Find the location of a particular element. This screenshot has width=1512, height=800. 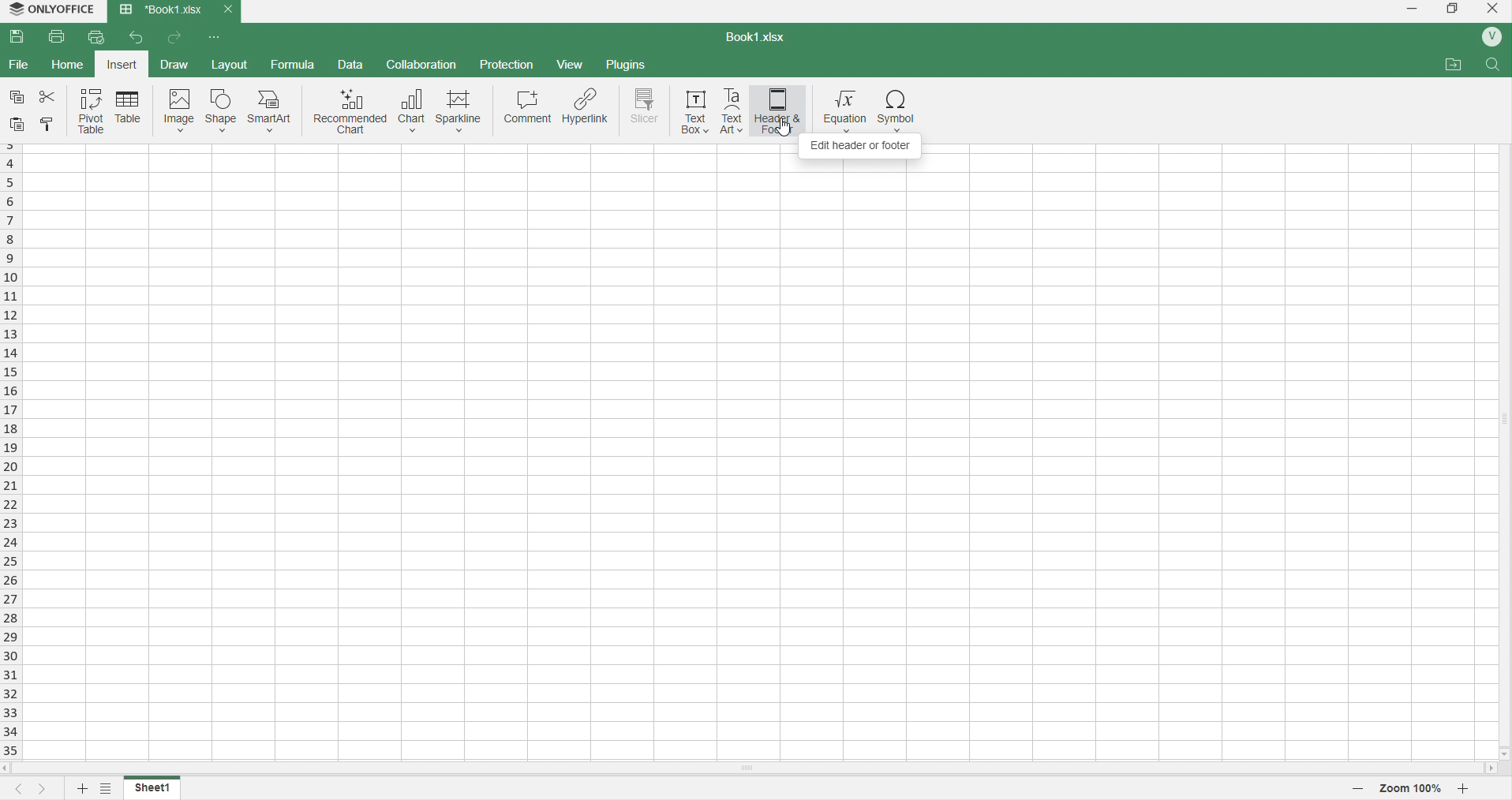

cell is located at coordinates (759, 459).